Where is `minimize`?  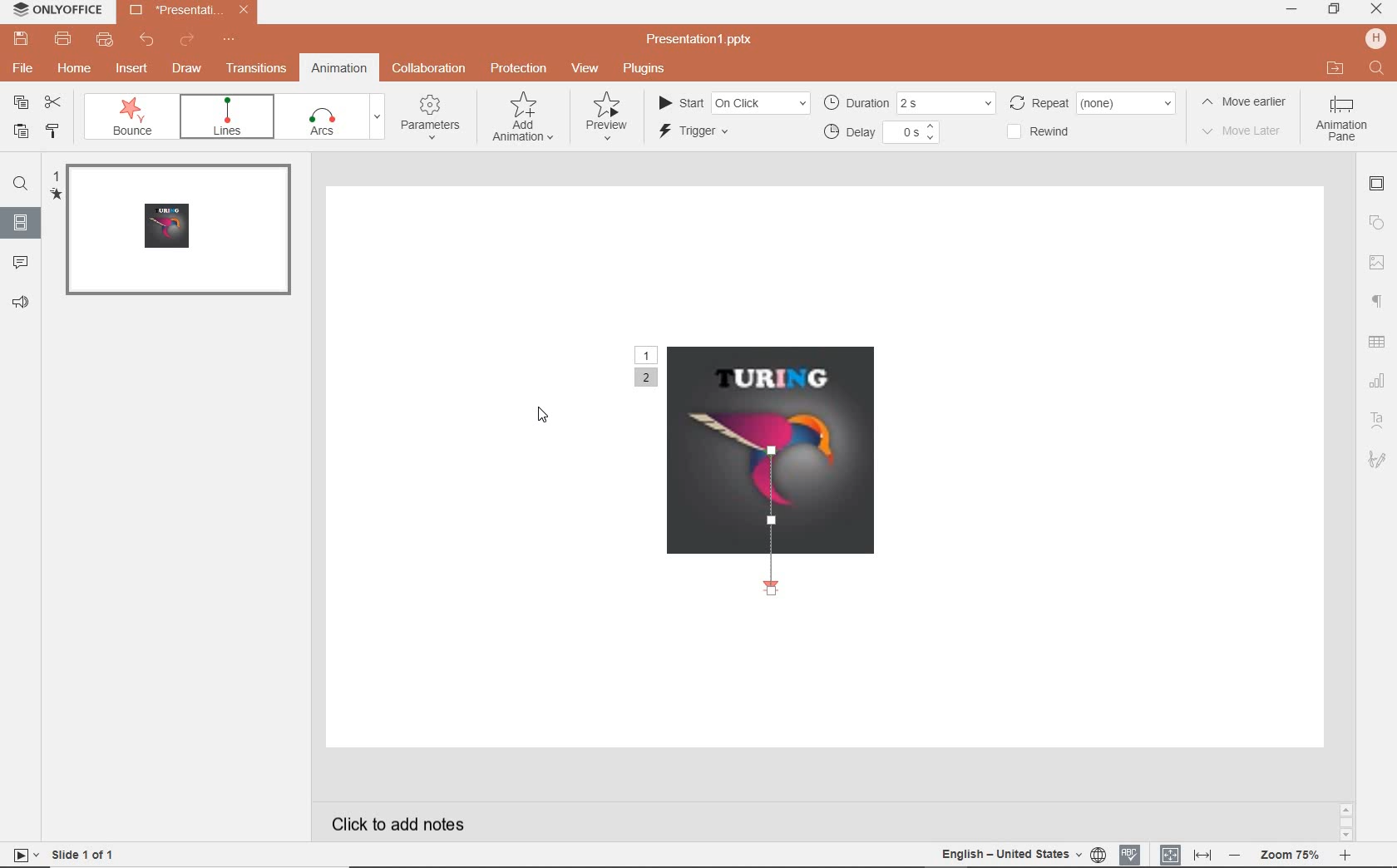
minimize is located at coordinates (1293, 10).